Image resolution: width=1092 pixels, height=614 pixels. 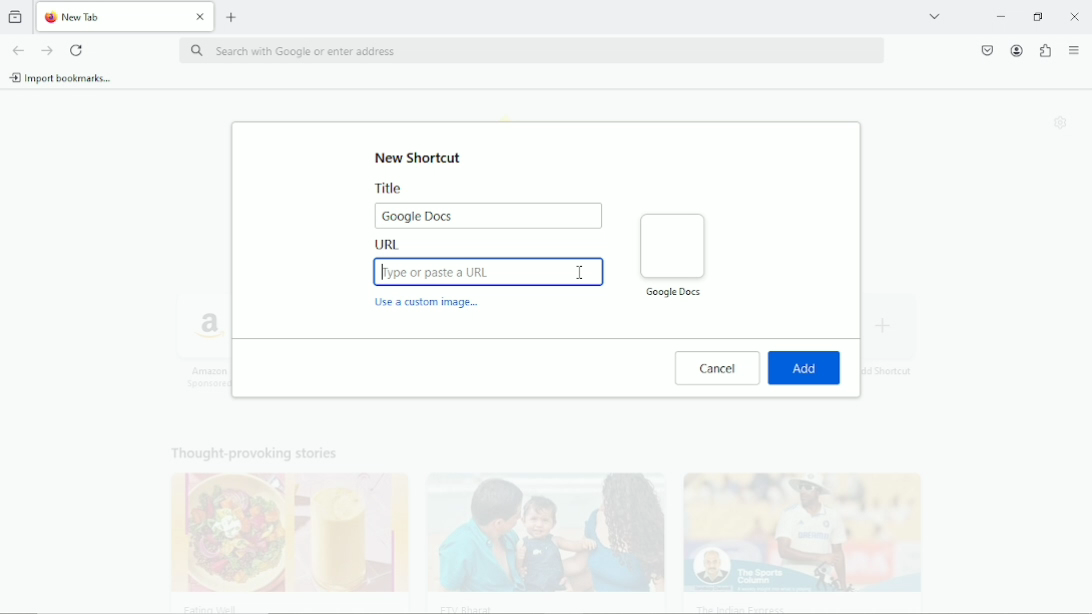 What do you see at coordinates (934, 15) in the screenshot?
I see `list all tabs` at bounding box center [934, 15].